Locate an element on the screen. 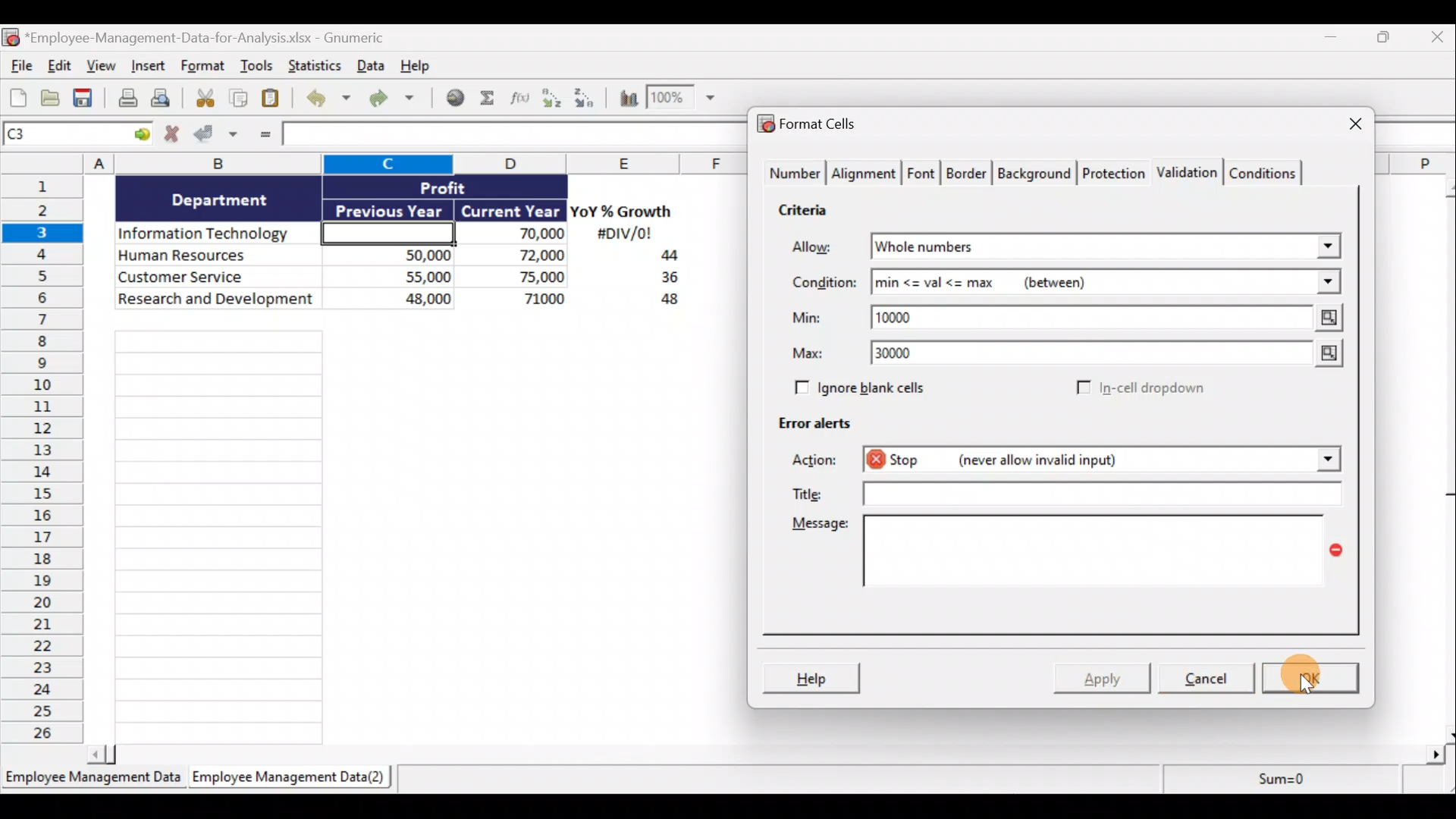 This screenshot has width=1456, height=819. Go to is located at coordinates (142, 135).